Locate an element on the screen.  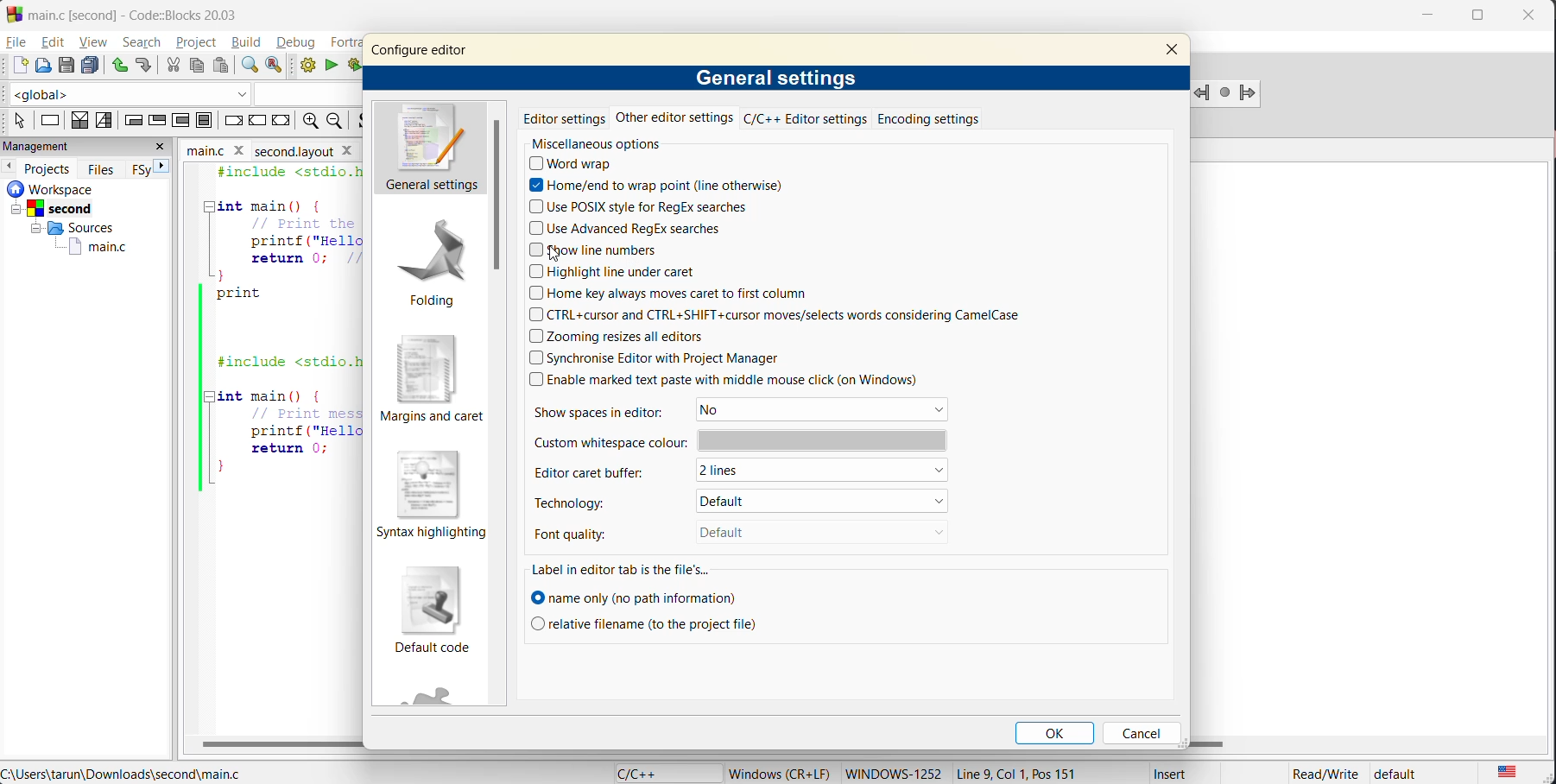
editor settings is located at coordinates (566, 117).